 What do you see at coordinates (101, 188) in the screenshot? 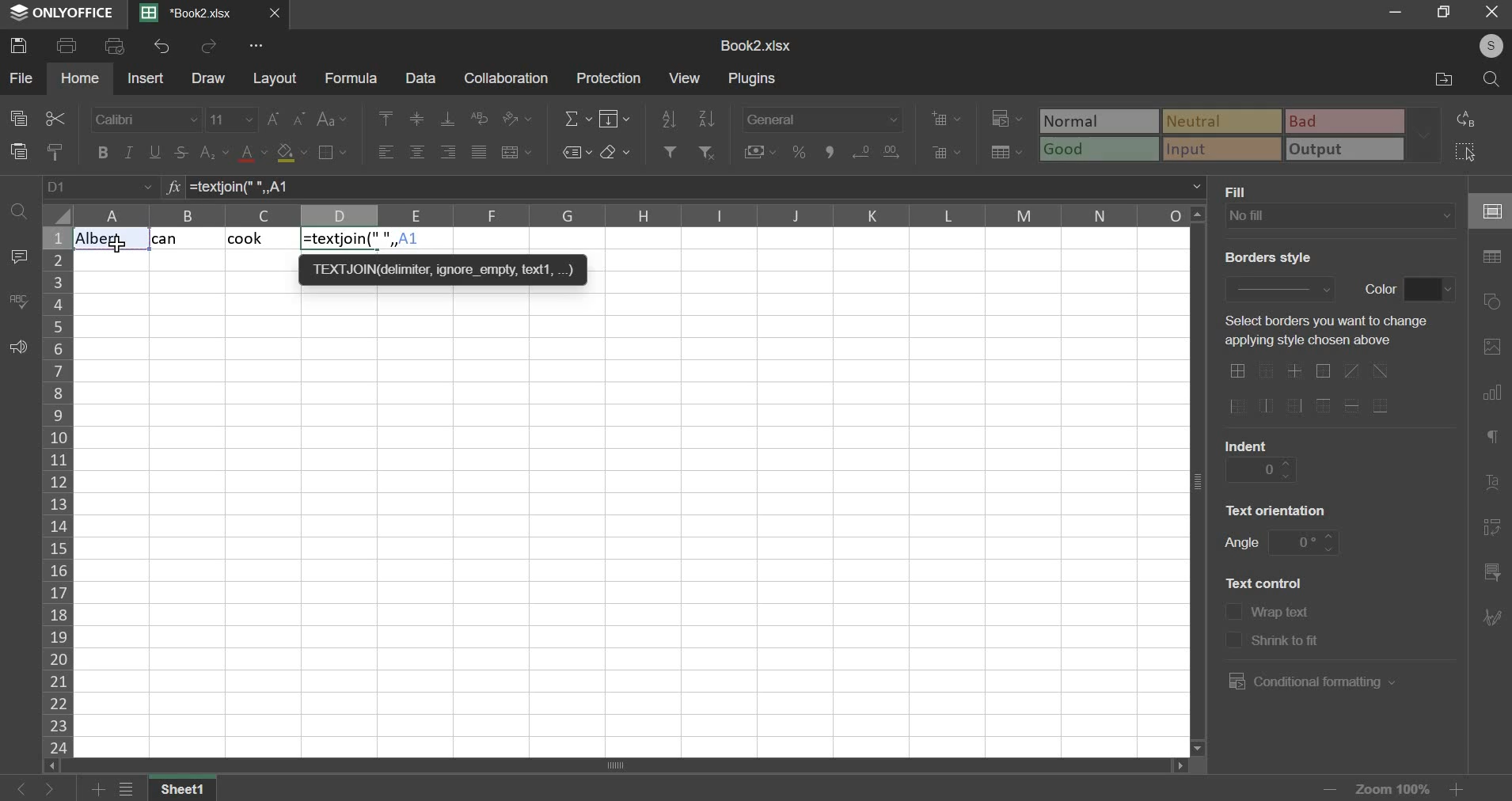
I see `cell name` at bounding box center [101, 188].